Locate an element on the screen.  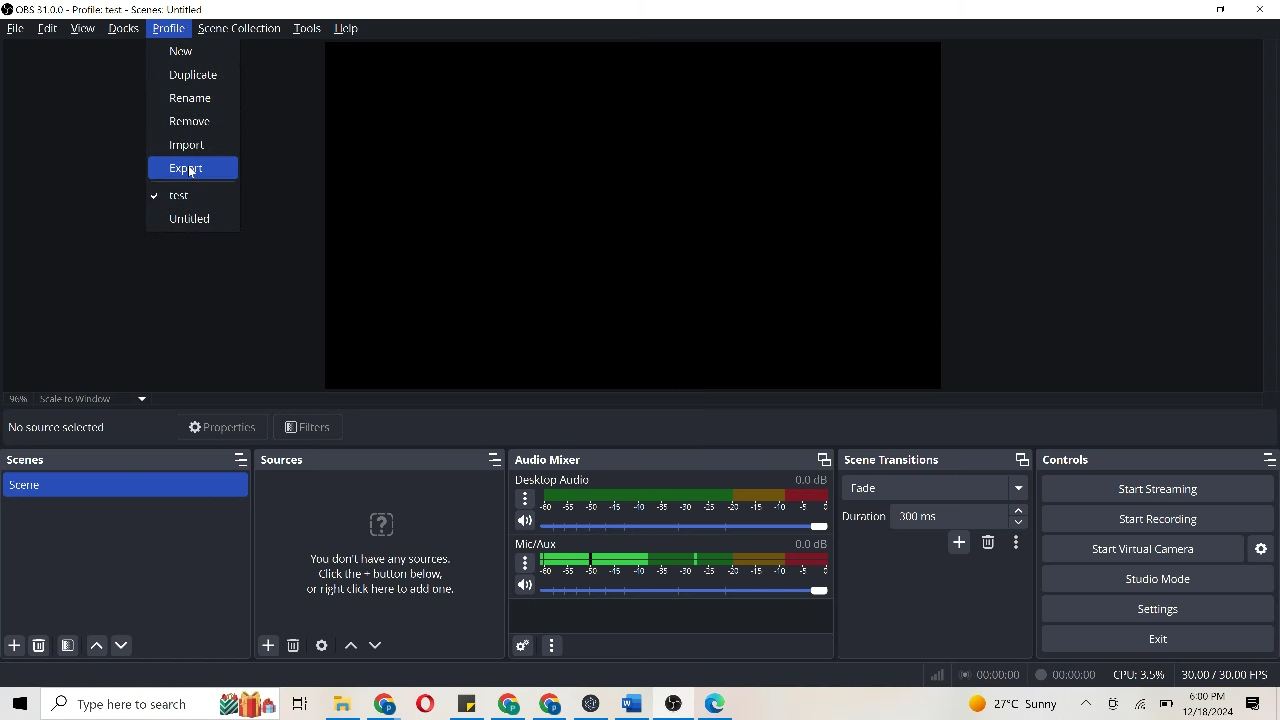
move scene down is located at coordinates (128, 644).